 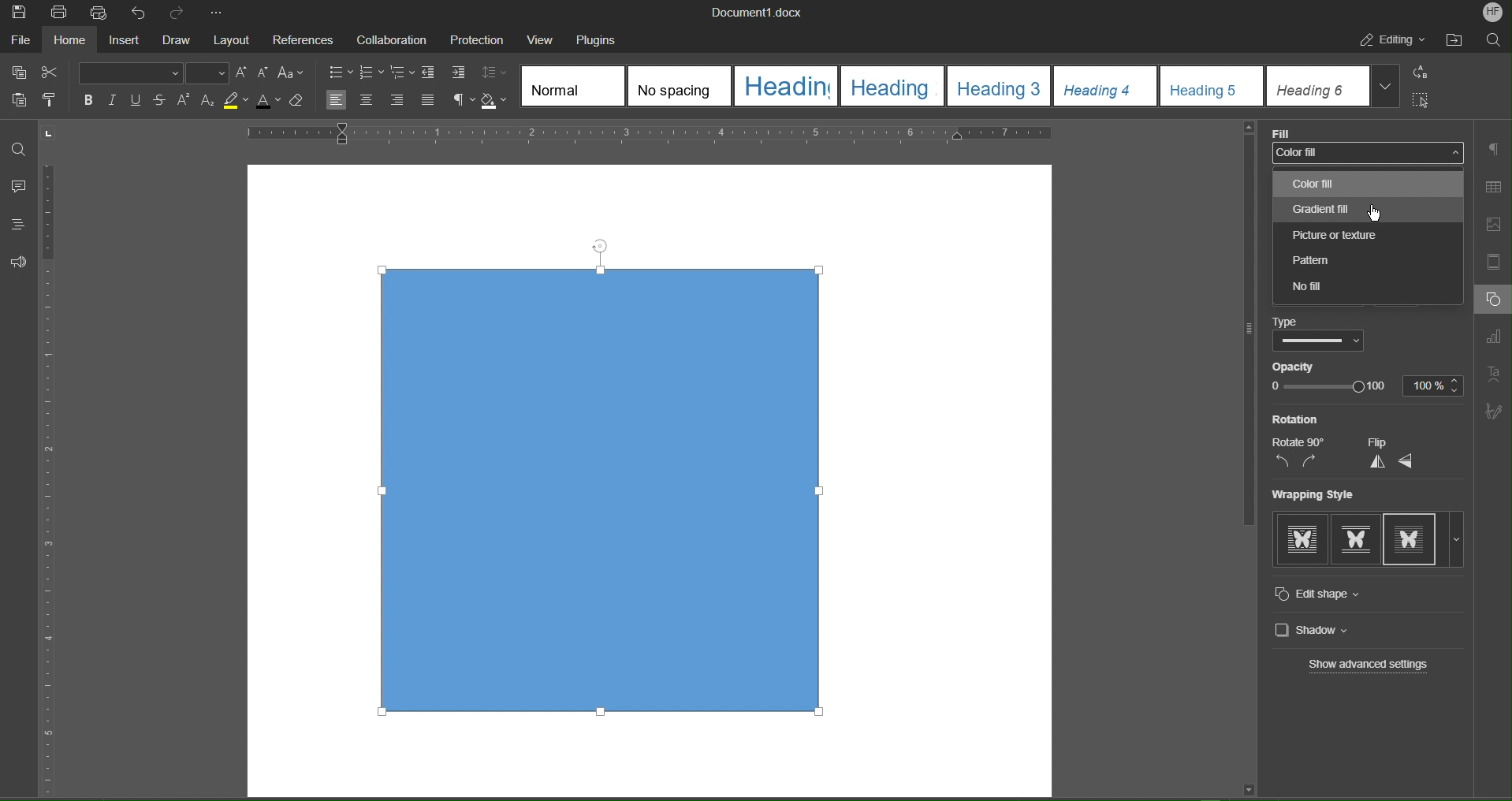 I want to click on Decrease size, so click(x=264, y=73).